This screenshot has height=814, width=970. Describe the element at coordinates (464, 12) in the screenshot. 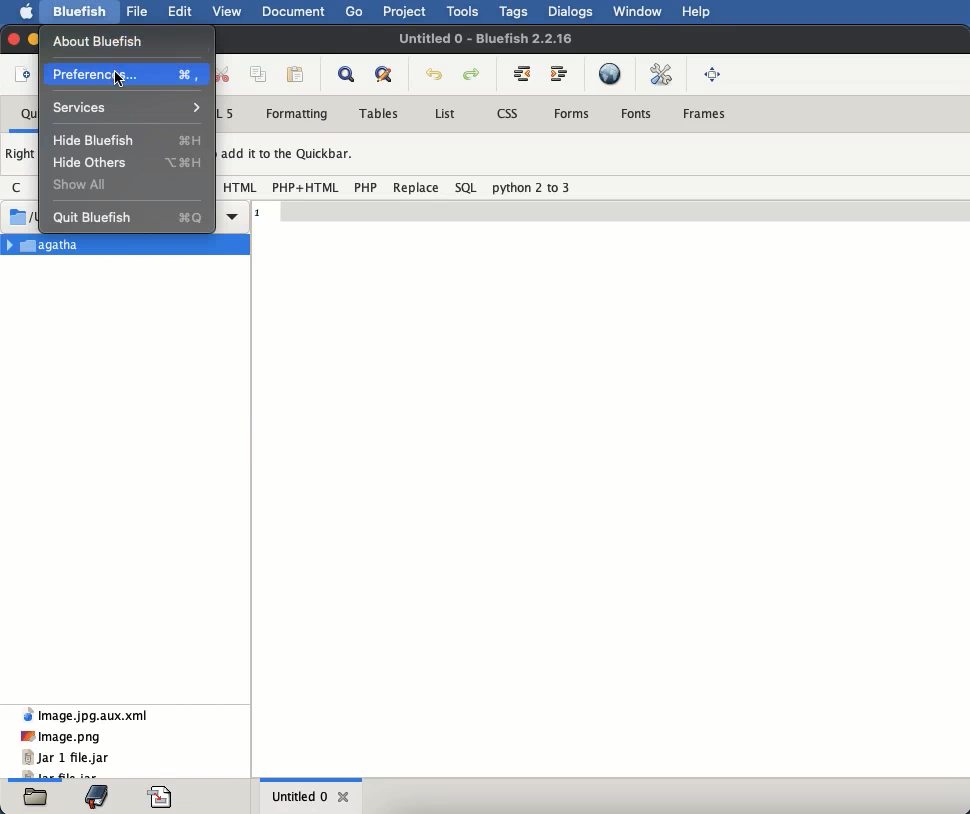

I see `tools` at that location.